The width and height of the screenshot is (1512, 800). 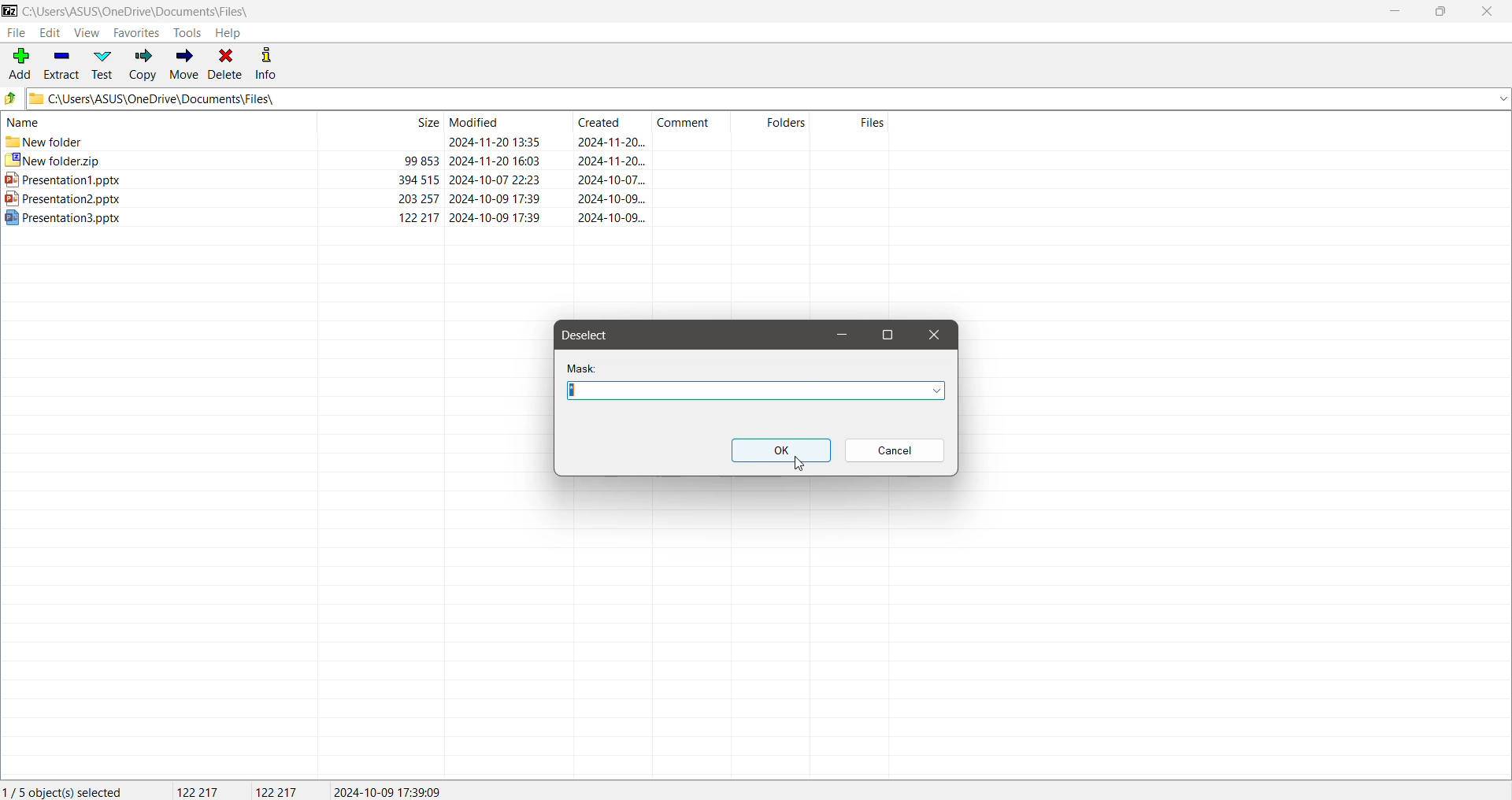 What do you see at coordinates (768, 98) in the screenshot?
I see `Current Folder Path` at bounding box center [768, 98].